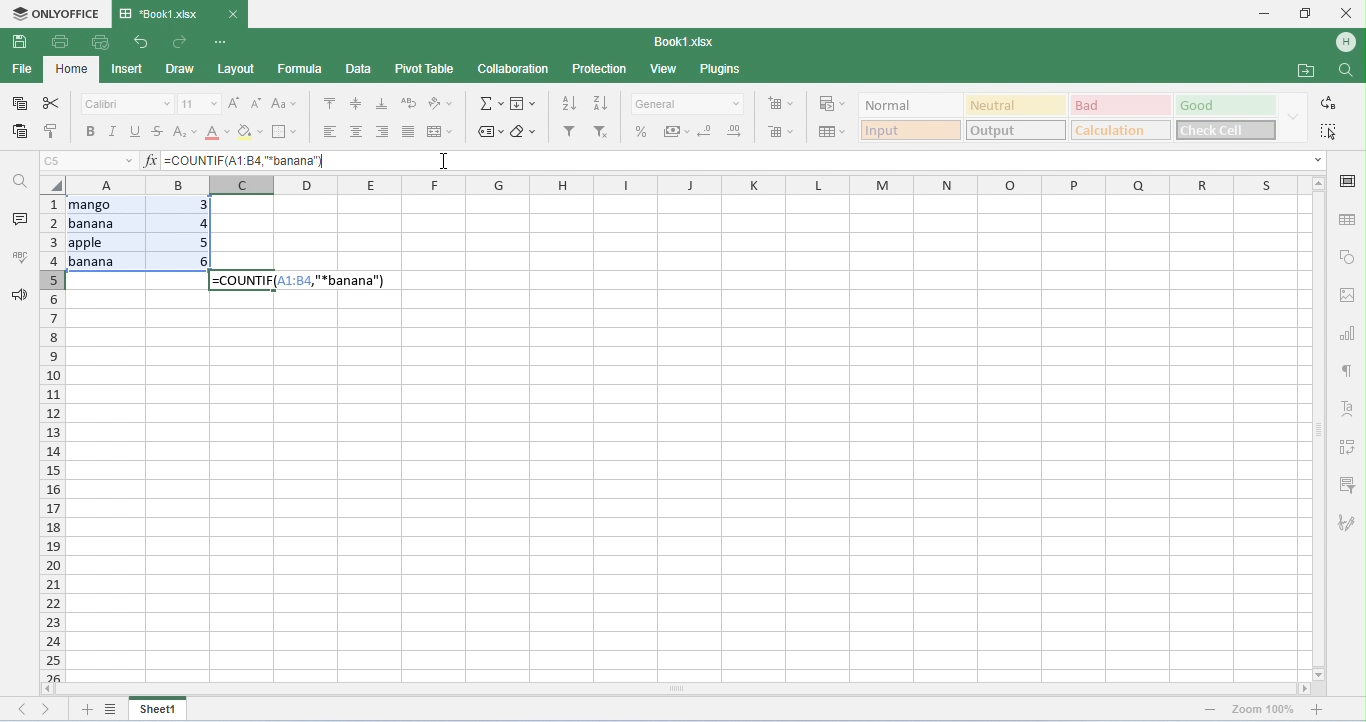 This screenshot has height=722, width=1366. What do you see at coordinates (98, 42) in the screenshot?
I see `quick print` at bounding box center [98, 42].